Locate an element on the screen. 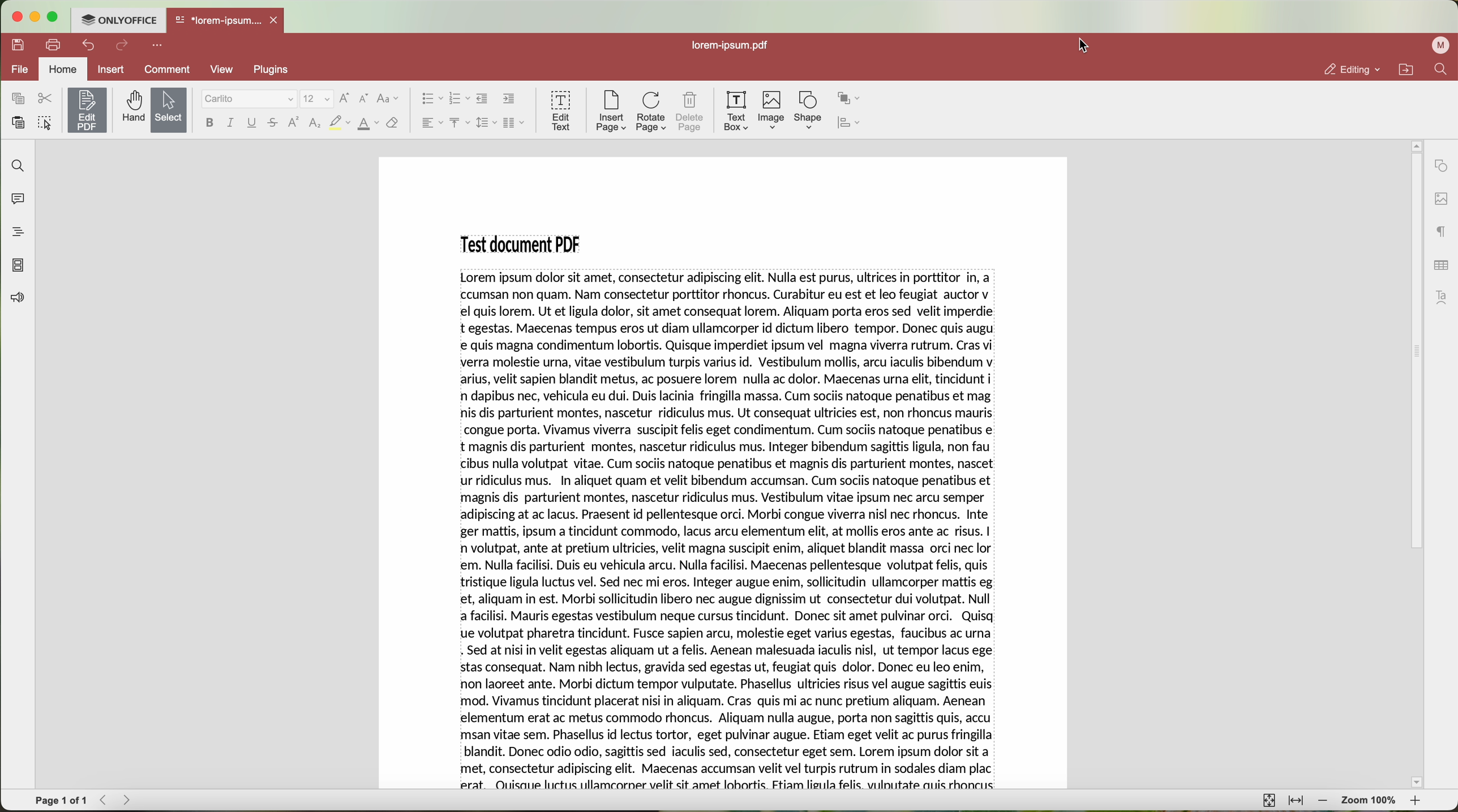  insert page is located at coordinates (610, 113).